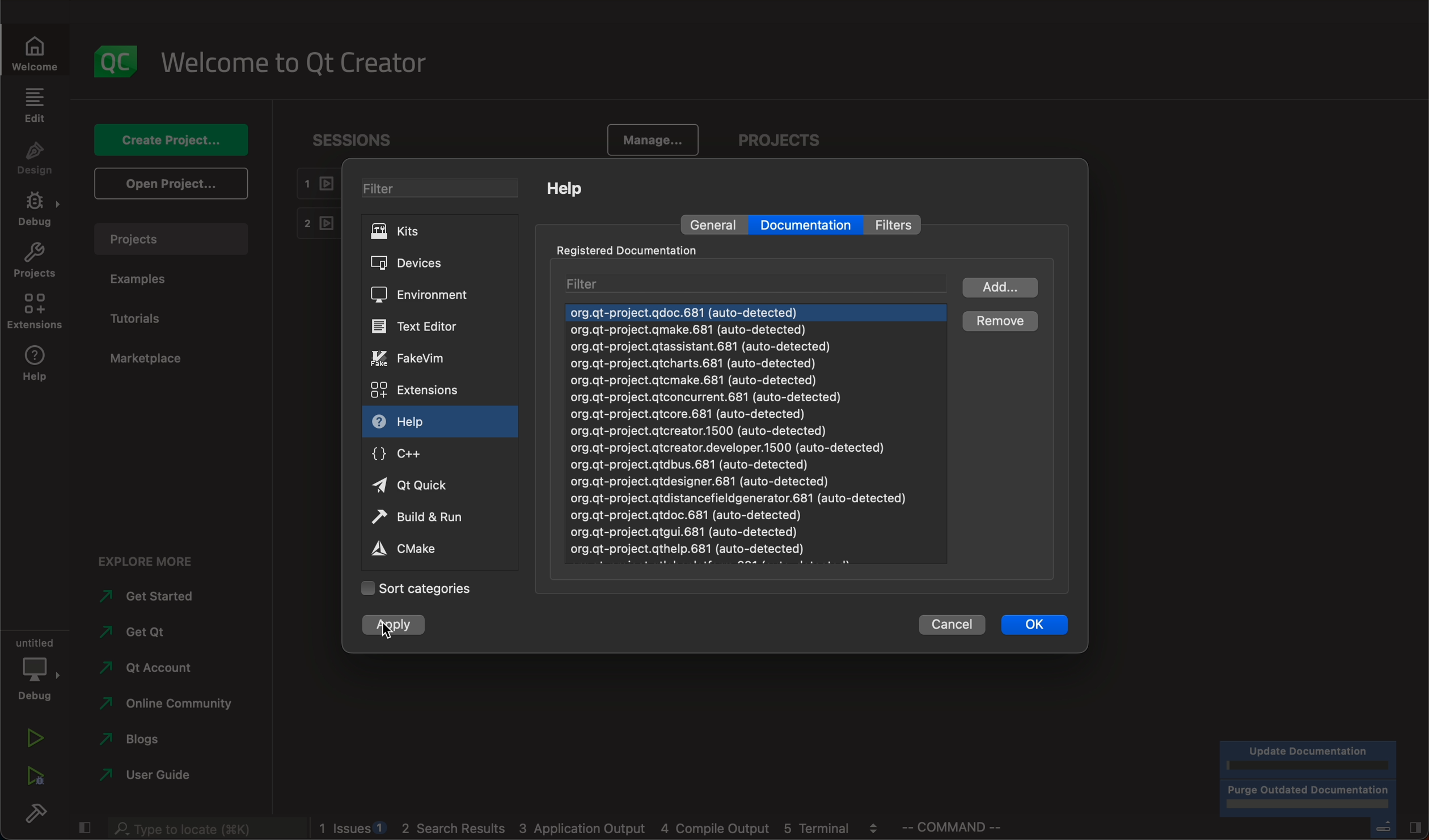 The width and height of the screenshot is (1429, 840). What do you see at coordinates (443, 188) in the screenshot?
I see `filter` at bounding box center [443, 188].